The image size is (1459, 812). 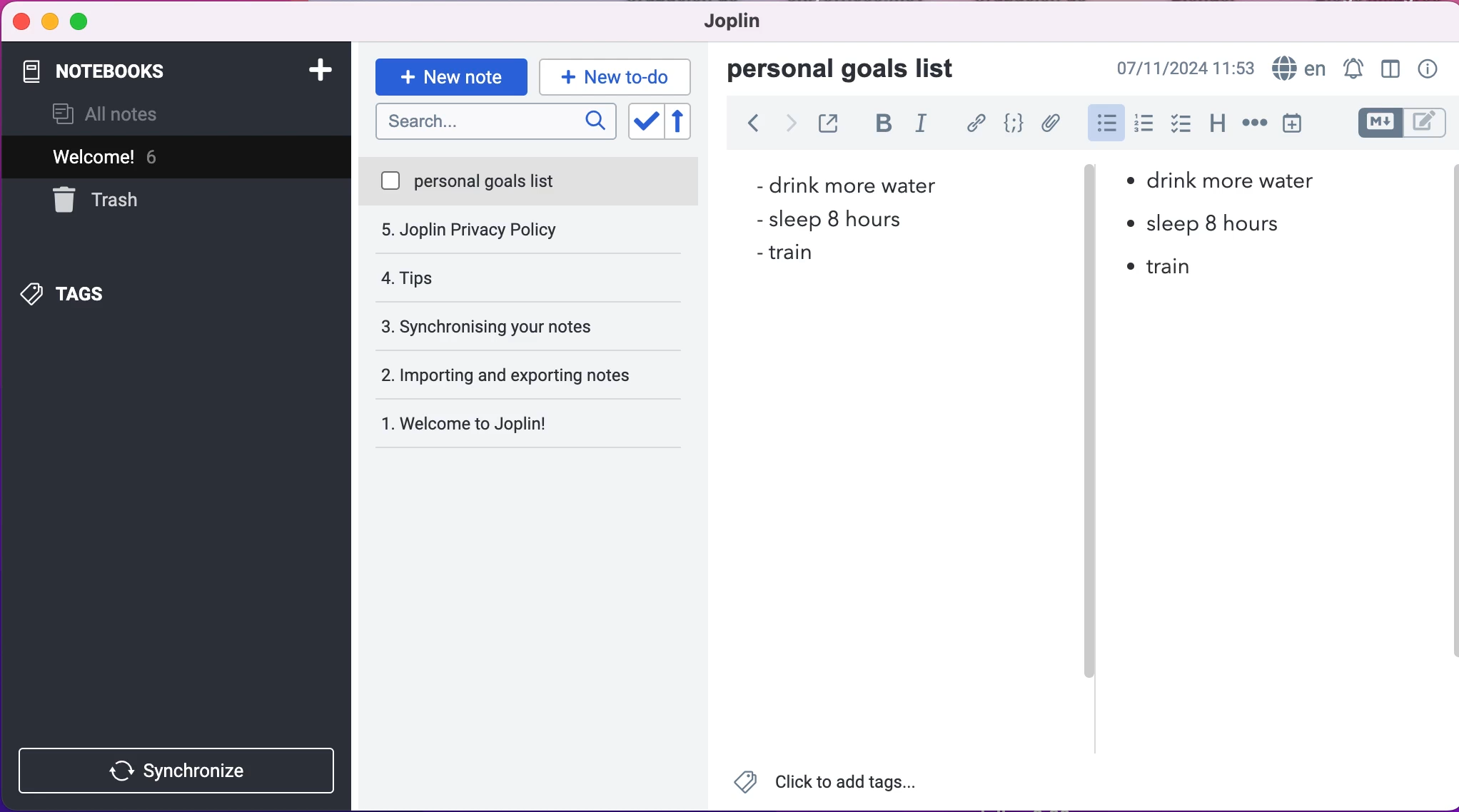 What do you see at coordinates (829, 126) in the screenshot?
I see `toggle external editing` at bounding box center [829, 126].